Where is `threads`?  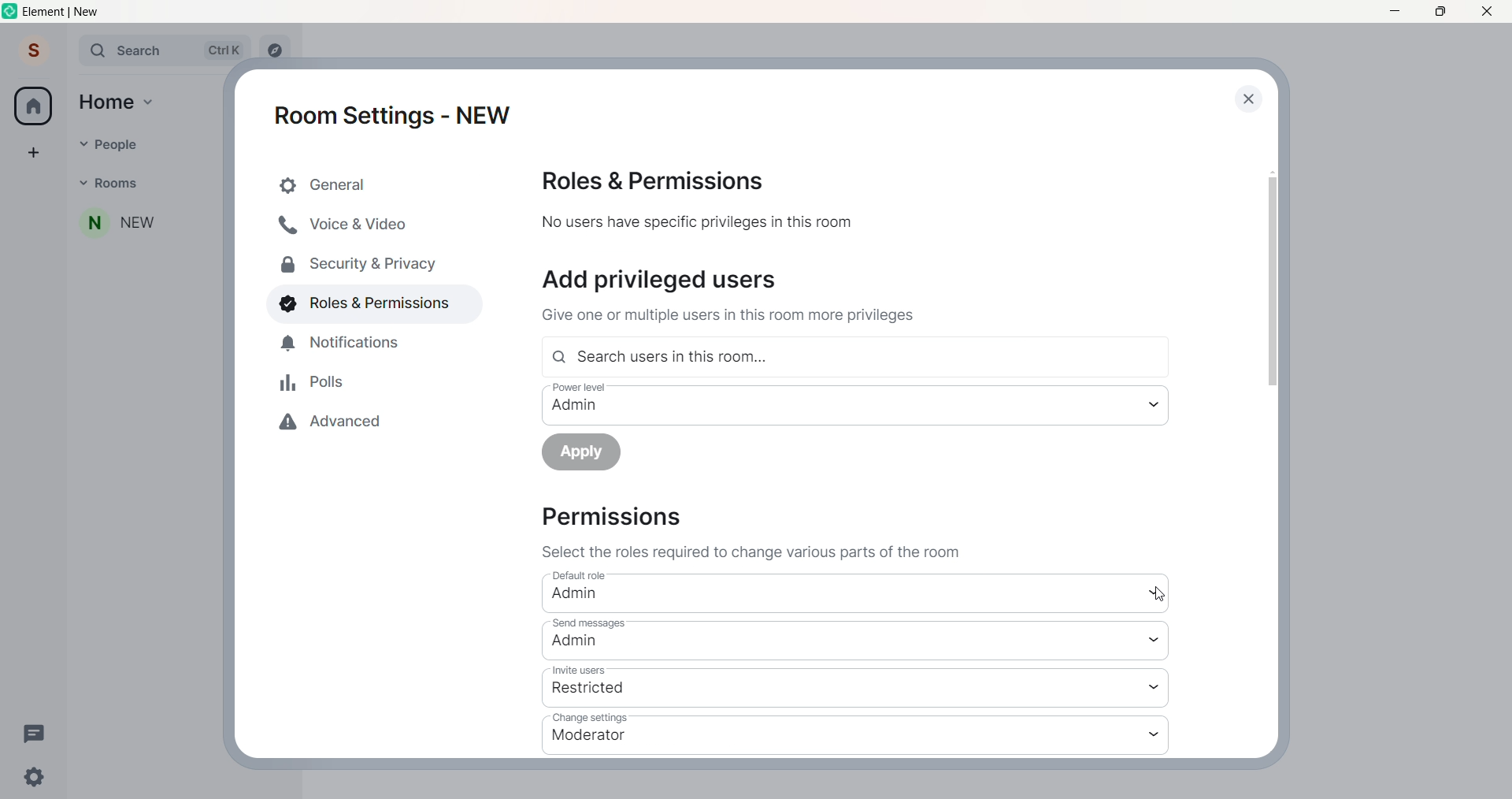
threads is located at coordinates (39, 736).